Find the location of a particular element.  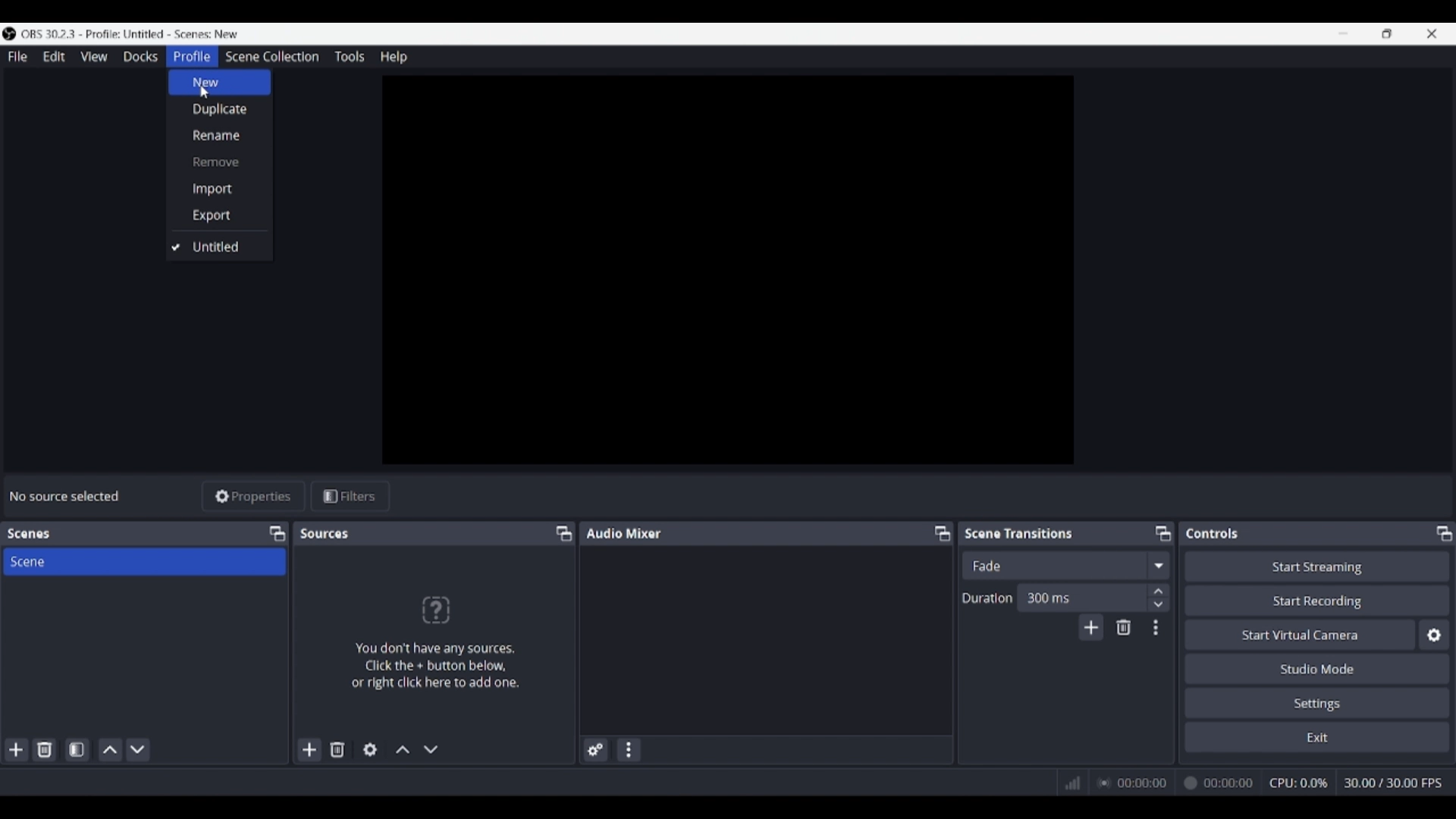

Transition properties is located at coordinates (1156, 628).